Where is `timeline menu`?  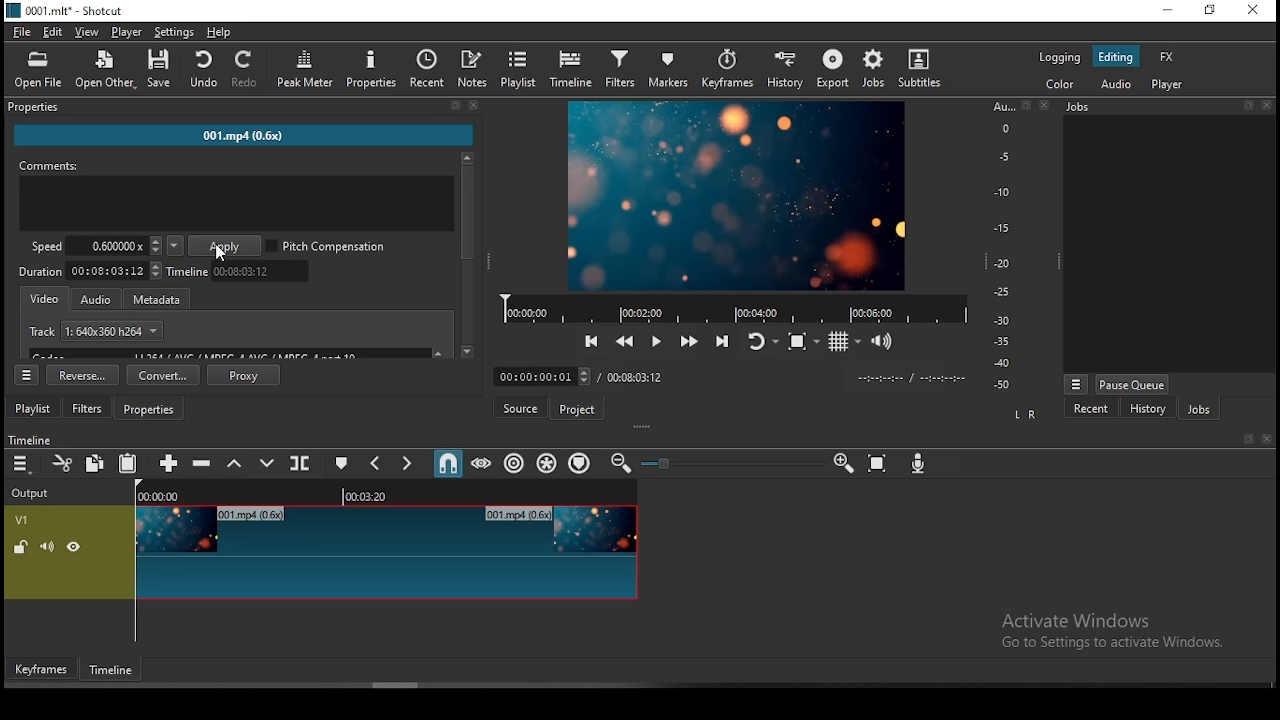
timeline menu is located at coordinates (21, 463).